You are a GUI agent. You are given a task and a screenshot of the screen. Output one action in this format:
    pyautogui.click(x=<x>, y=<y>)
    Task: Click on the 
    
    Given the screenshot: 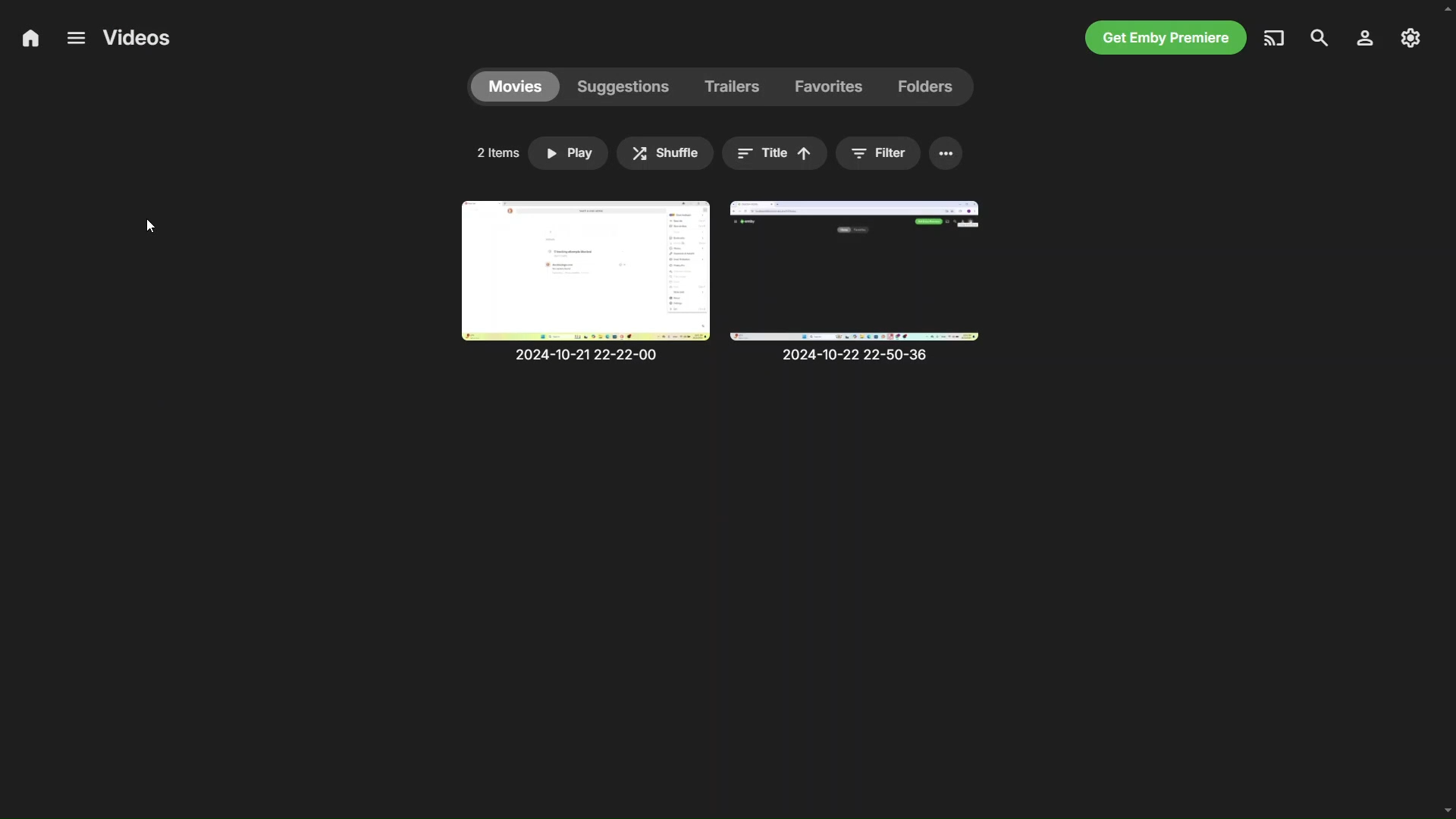 What is the action you would take?
    pyautogui.click(x=947, y=152)
    